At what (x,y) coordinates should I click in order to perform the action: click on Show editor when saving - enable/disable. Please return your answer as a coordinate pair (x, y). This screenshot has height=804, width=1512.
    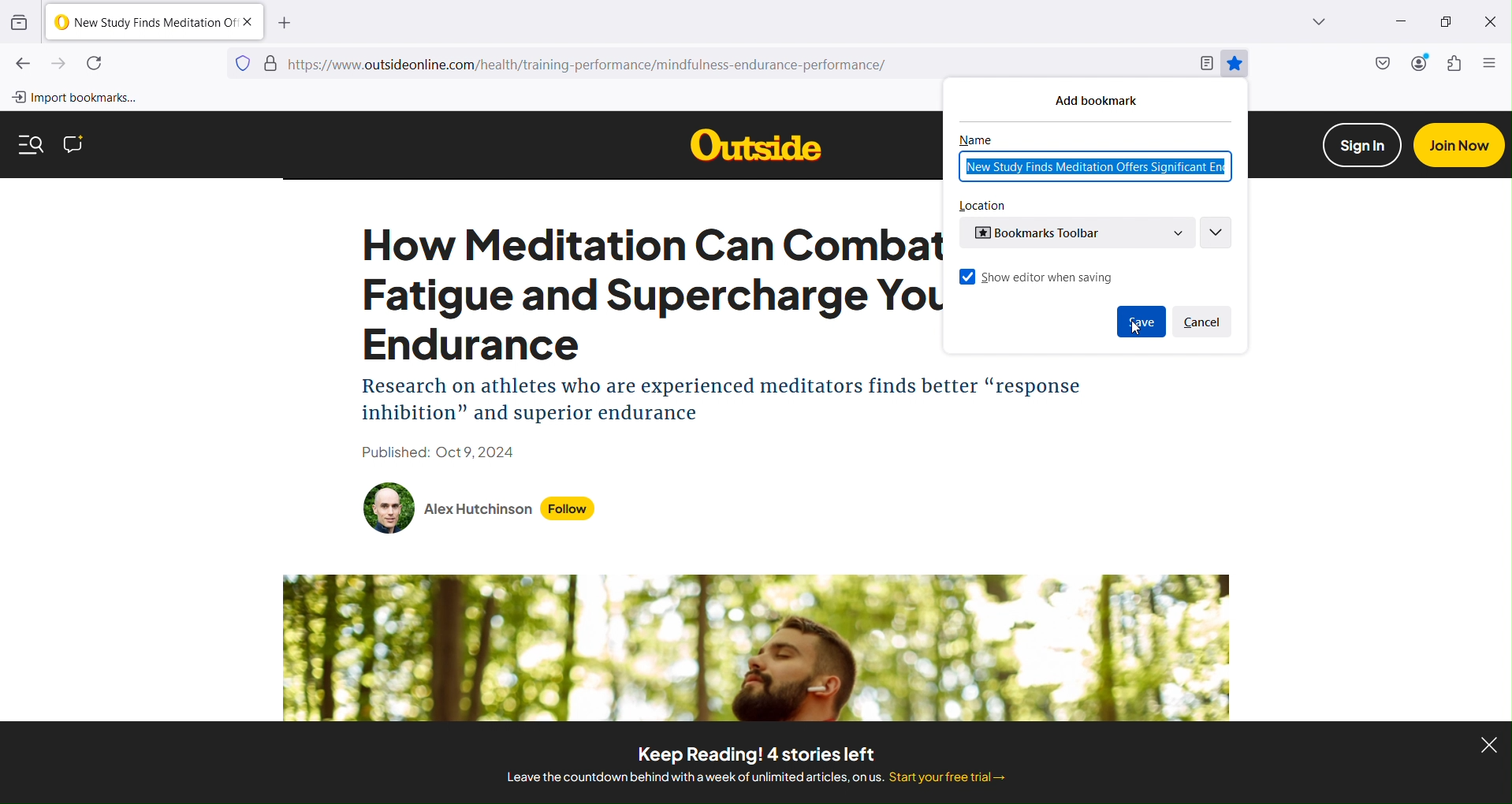
    Looking at the image, I should click on (1037, 277).